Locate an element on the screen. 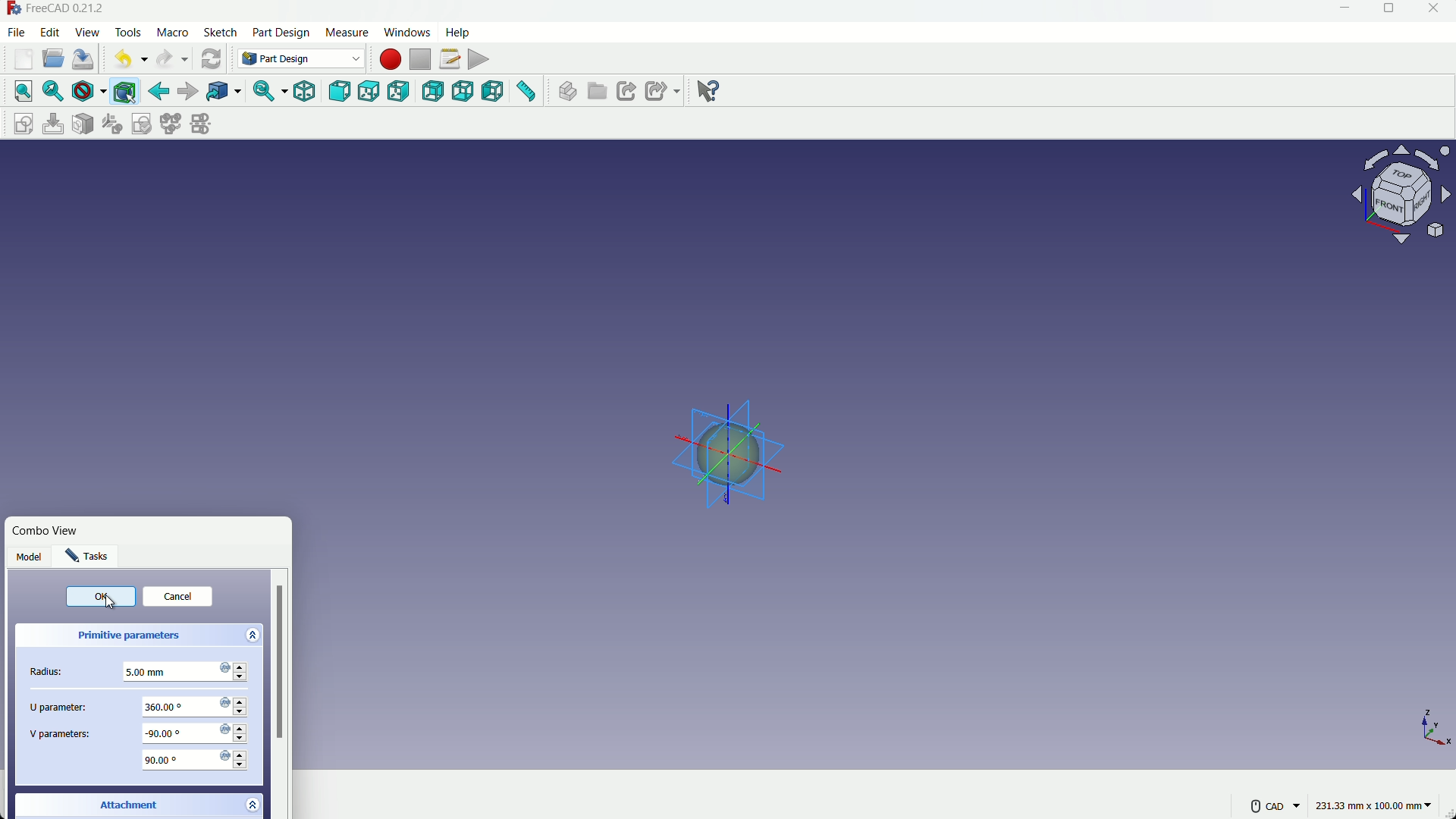  attachment is located at coordinates (129, 802).